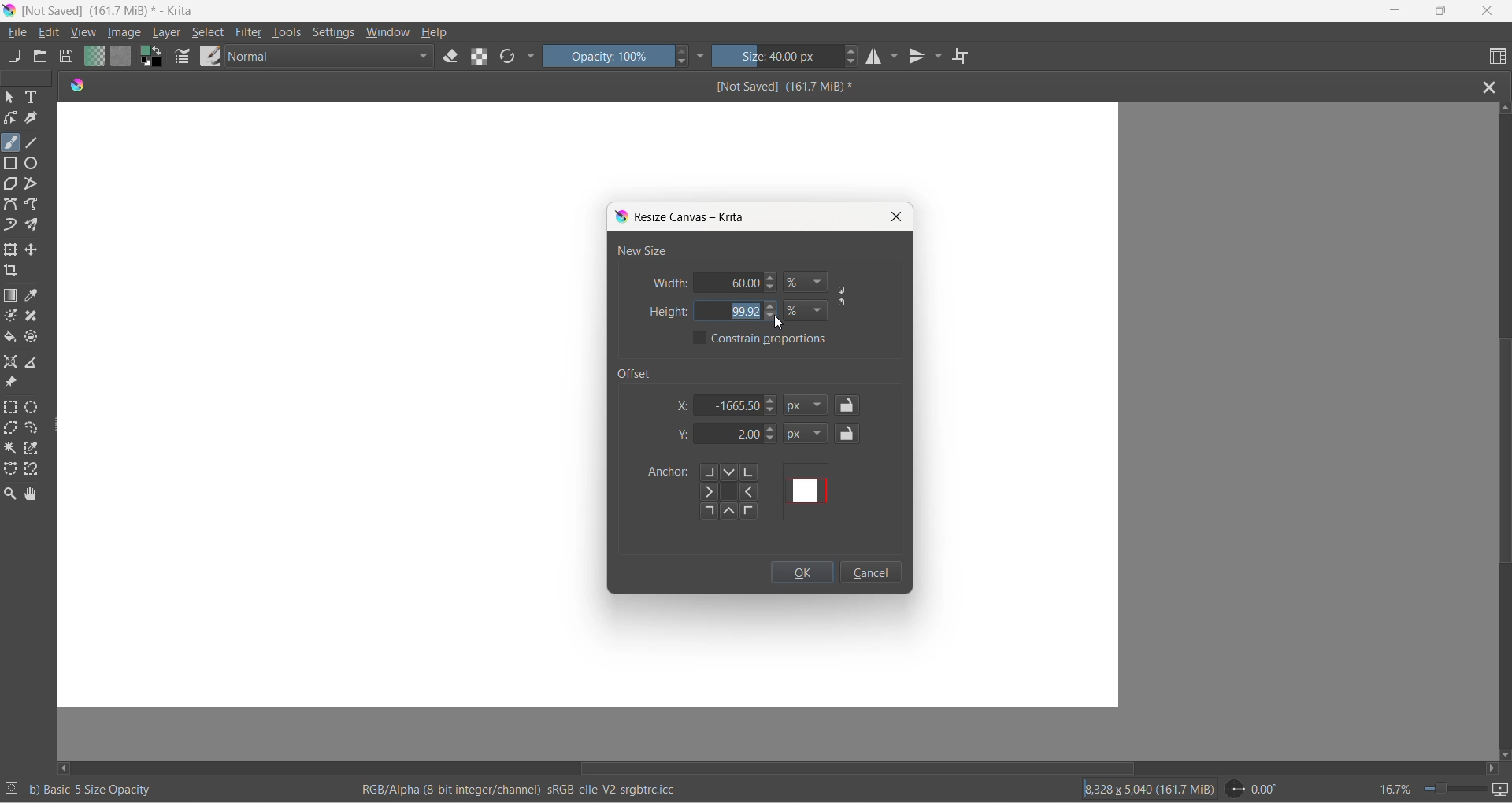 The image size is (1512, 803). What do you see at coordinates (876, 58) in the screenshot?
I see `horizontal mirror tool` at bounding box center [876, 58].